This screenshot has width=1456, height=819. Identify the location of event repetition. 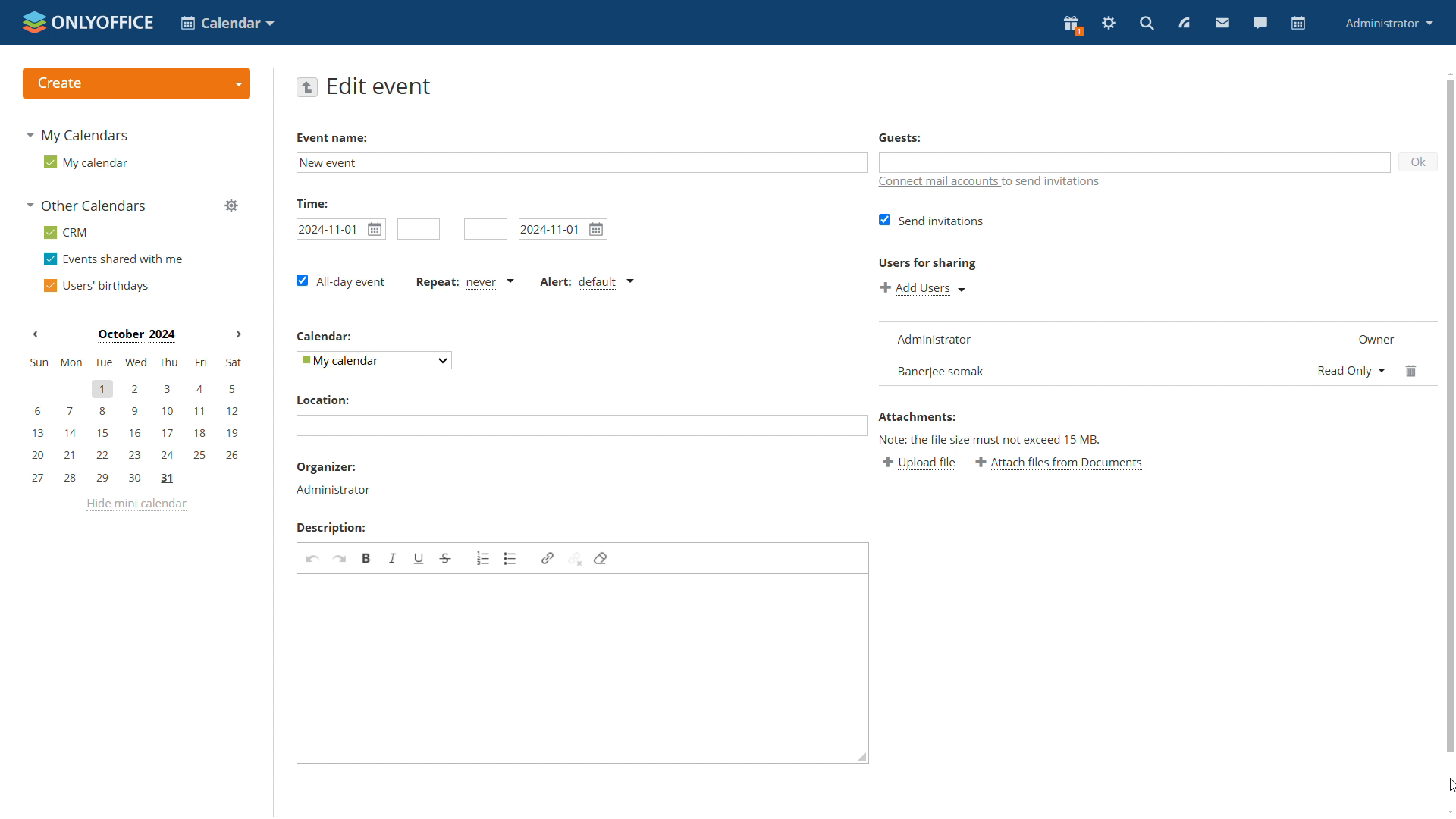
(466, 284).